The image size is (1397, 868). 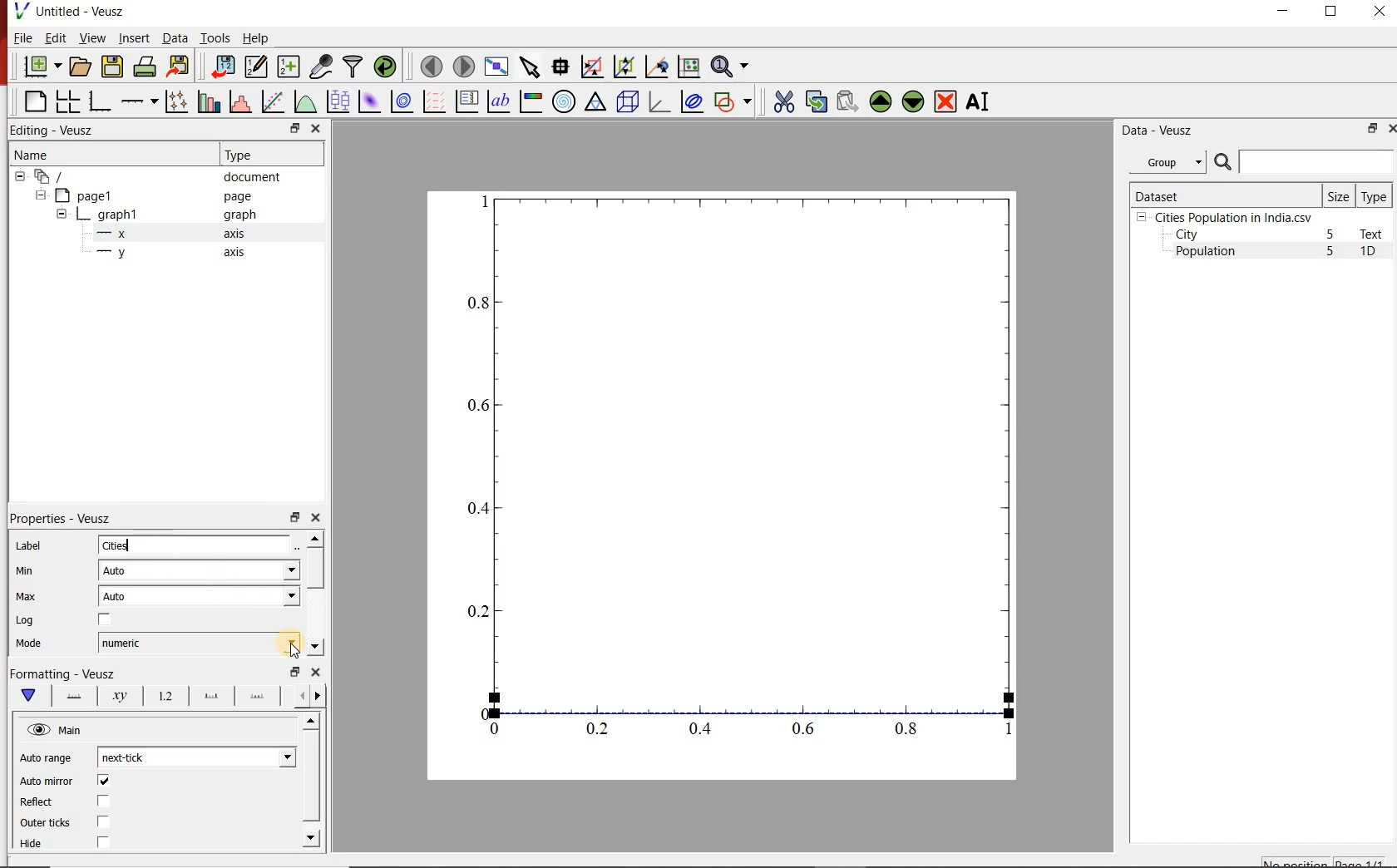 What do you see at coordinates (44, 822) in the screenshot?
I see `Outer ticks` at bounding box center [44, 822].